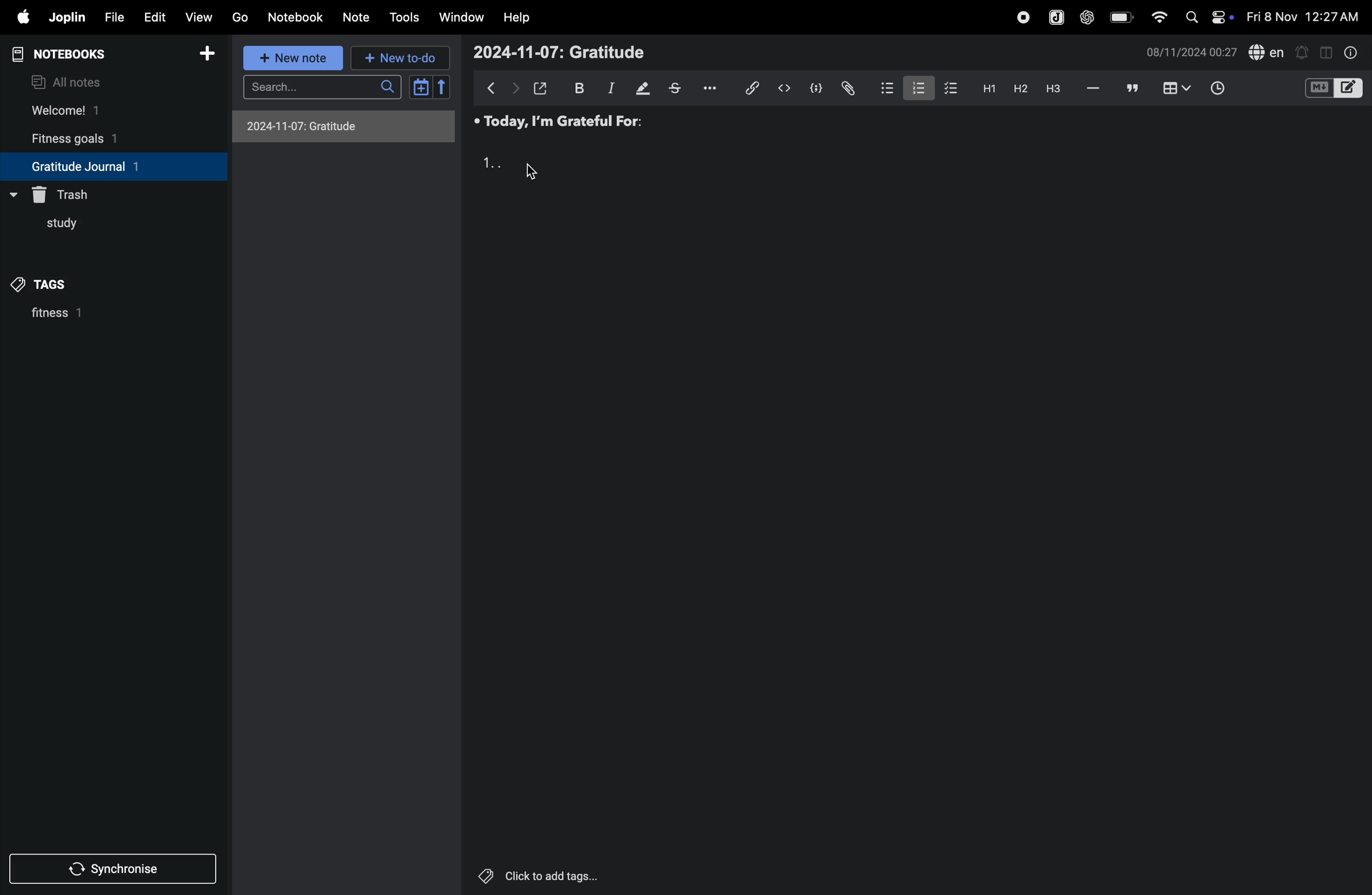 This screenshot has height=895, width=1372. What do you see at coordinates (1215, 89) in the screenshot?
I see `insert time` at bounding box center [1215, 89].